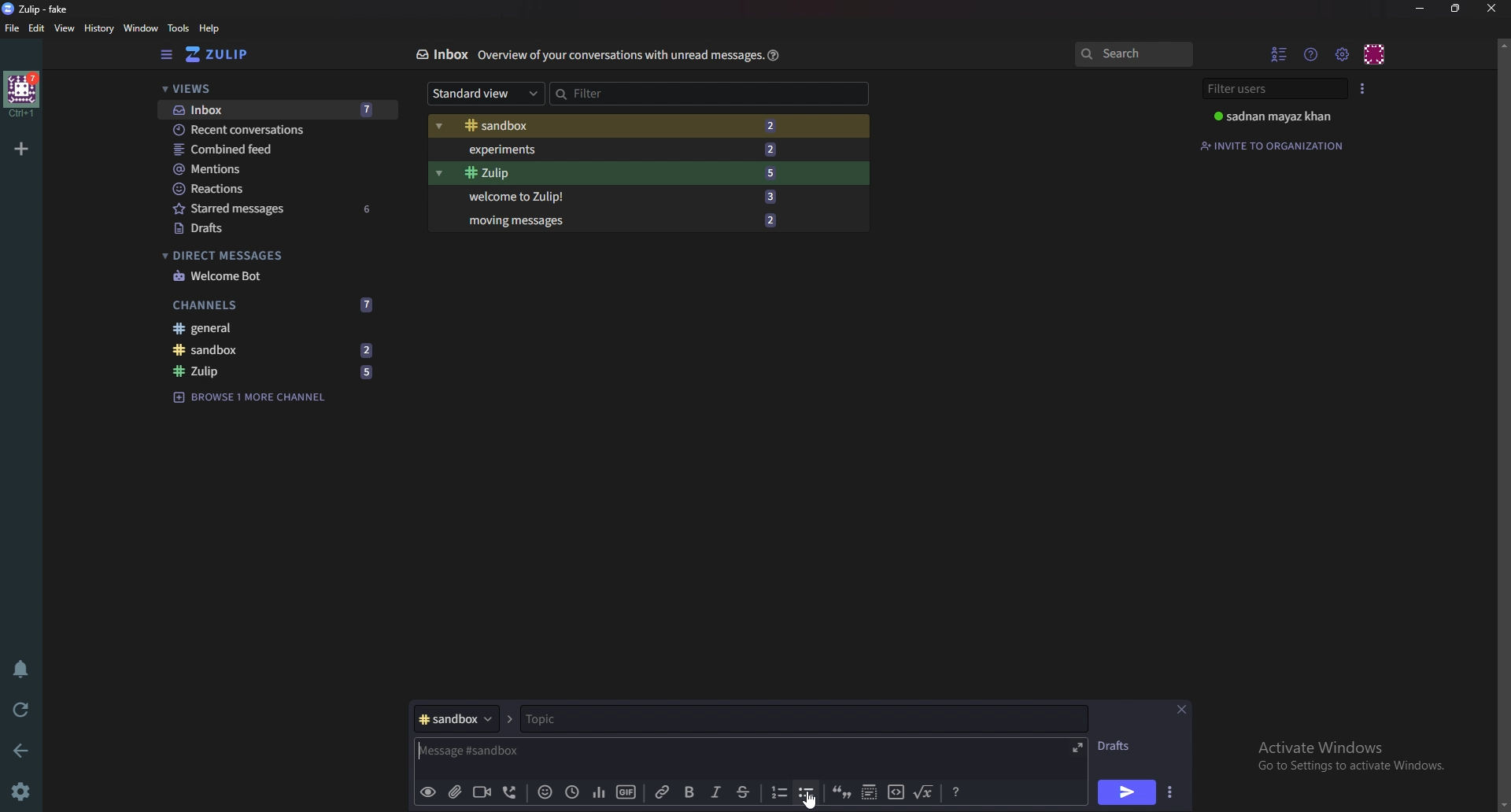 The image size is (1511, 812). Describe the element at coordinates (273, 349) in the screenshot. I see `Sandbox` at that location.